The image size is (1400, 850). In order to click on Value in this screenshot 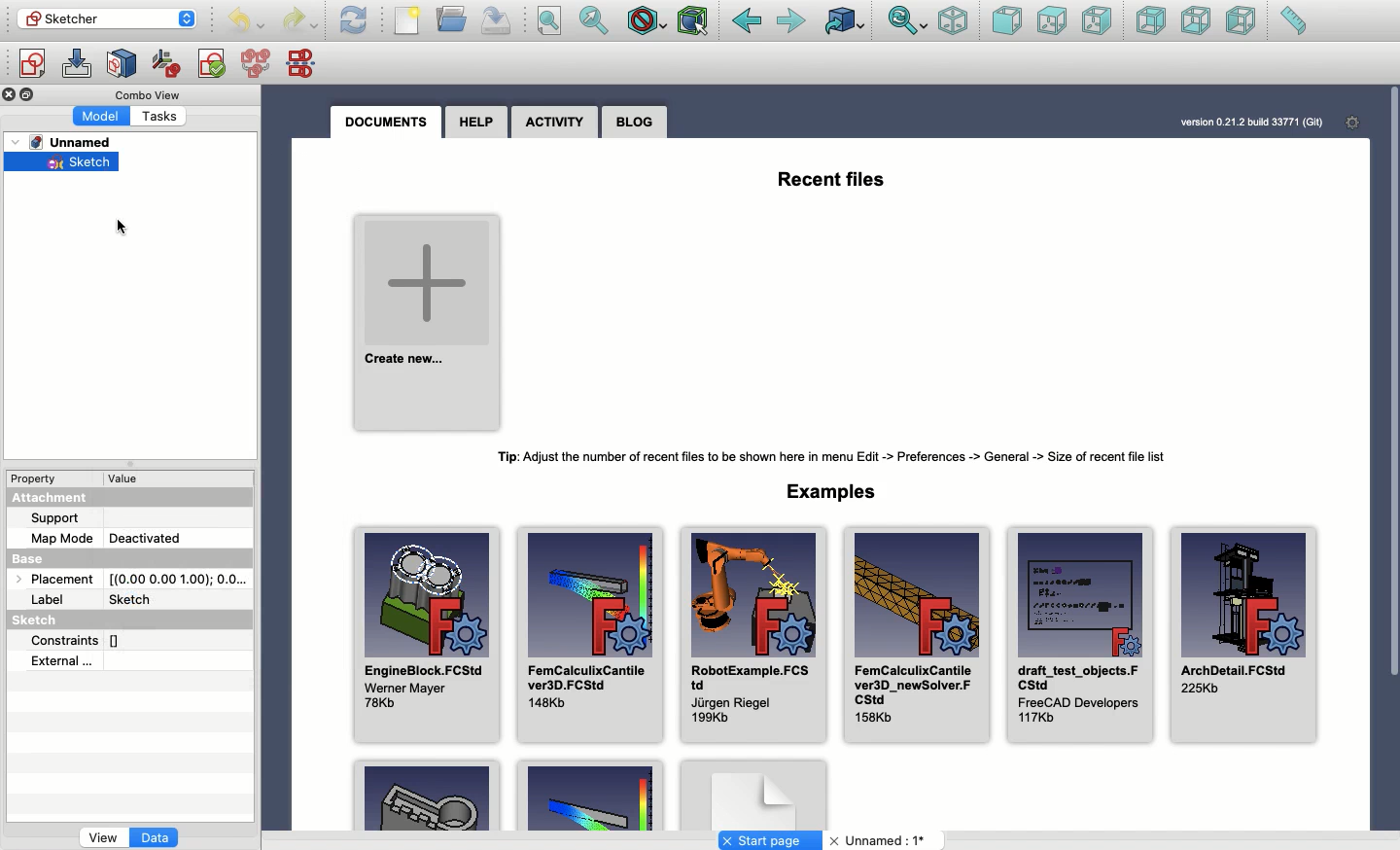, I will do `click(132, 478)`.